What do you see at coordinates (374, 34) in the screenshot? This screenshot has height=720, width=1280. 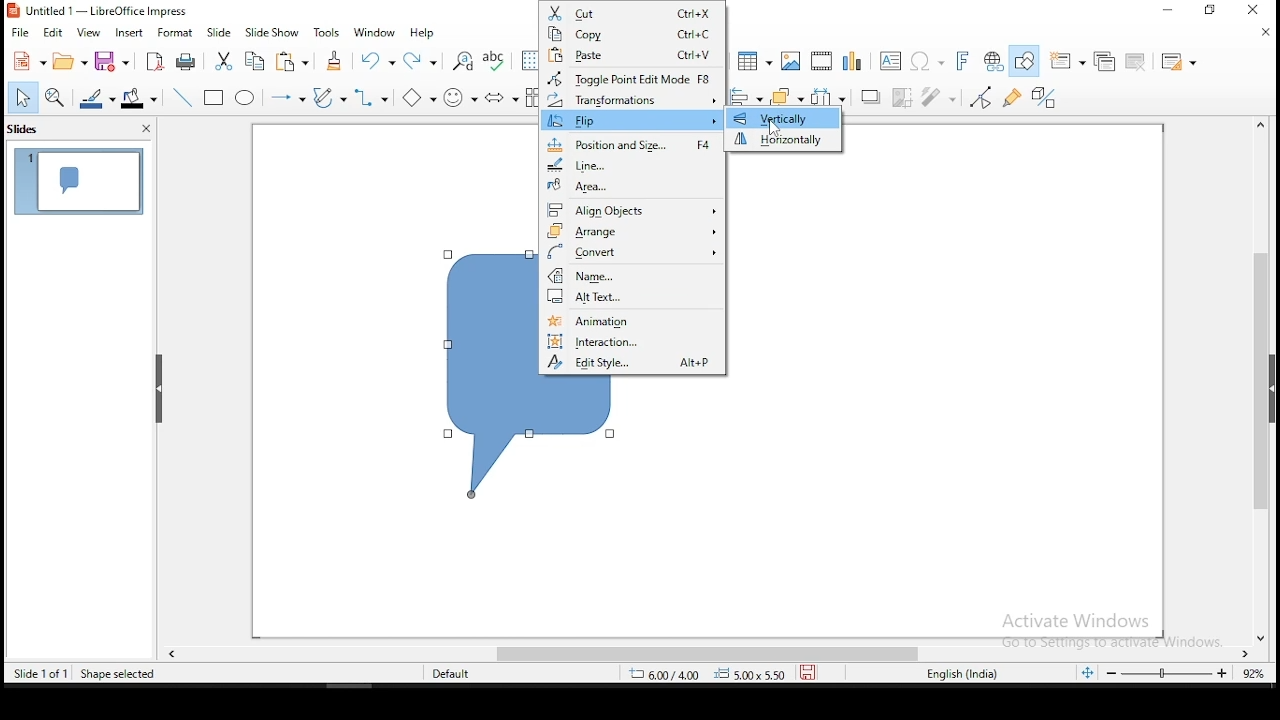 I see `window` at bounding box center [374, 34].